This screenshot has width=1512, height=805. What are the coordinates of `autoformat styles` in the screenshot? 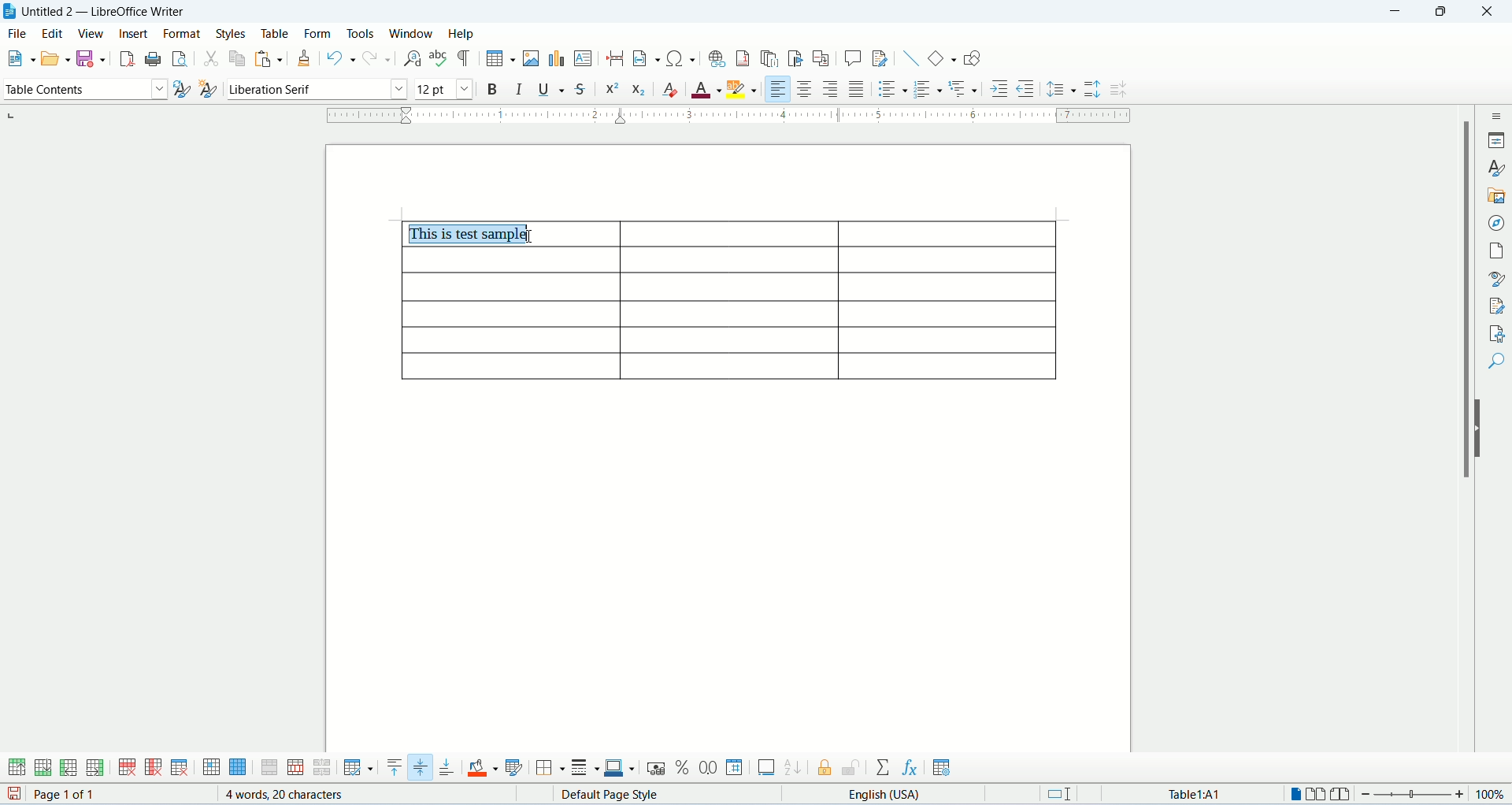 It's located at (516, 768).